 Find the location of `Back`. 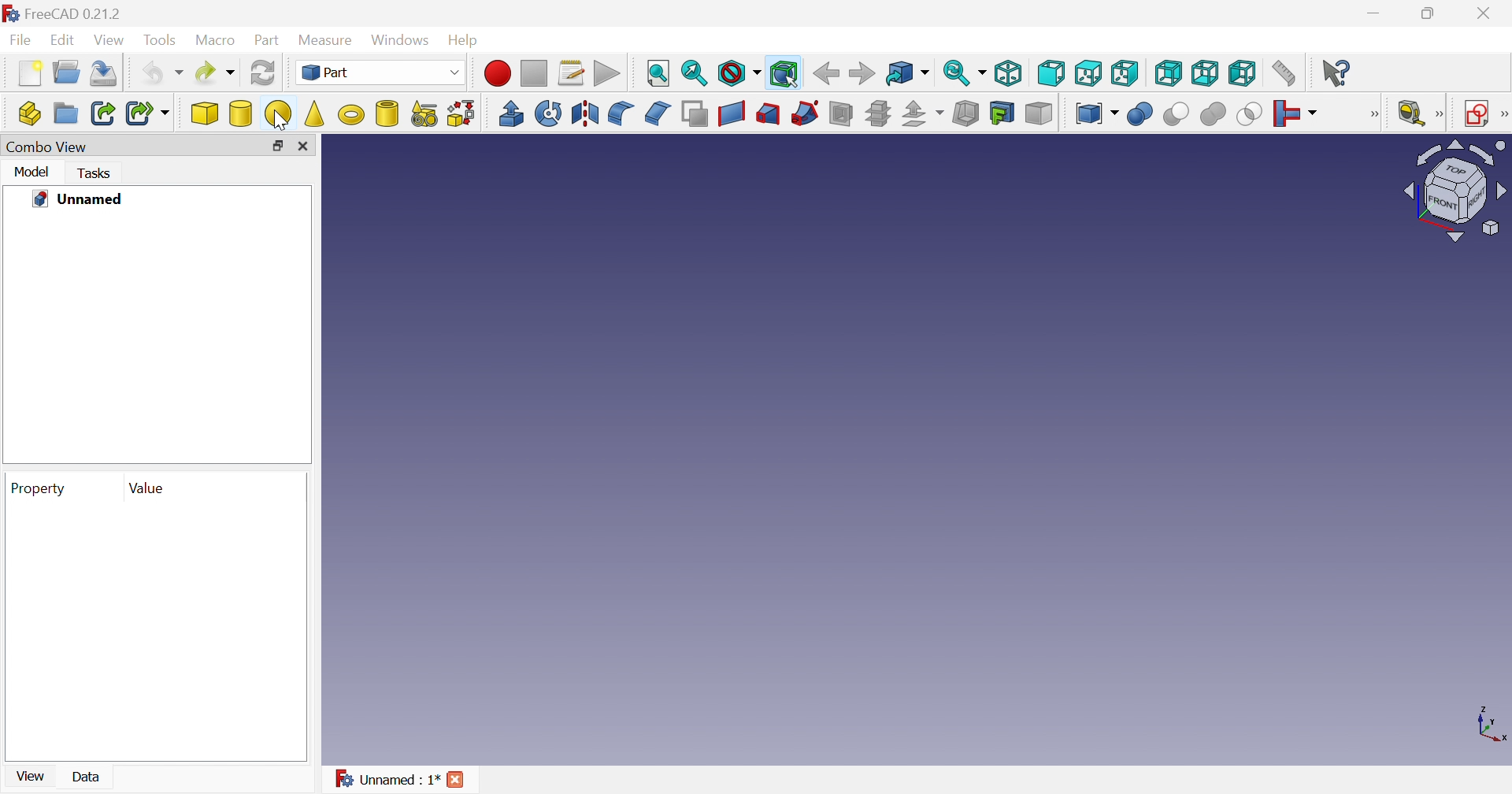

Back is located at coordinates (826, 74).